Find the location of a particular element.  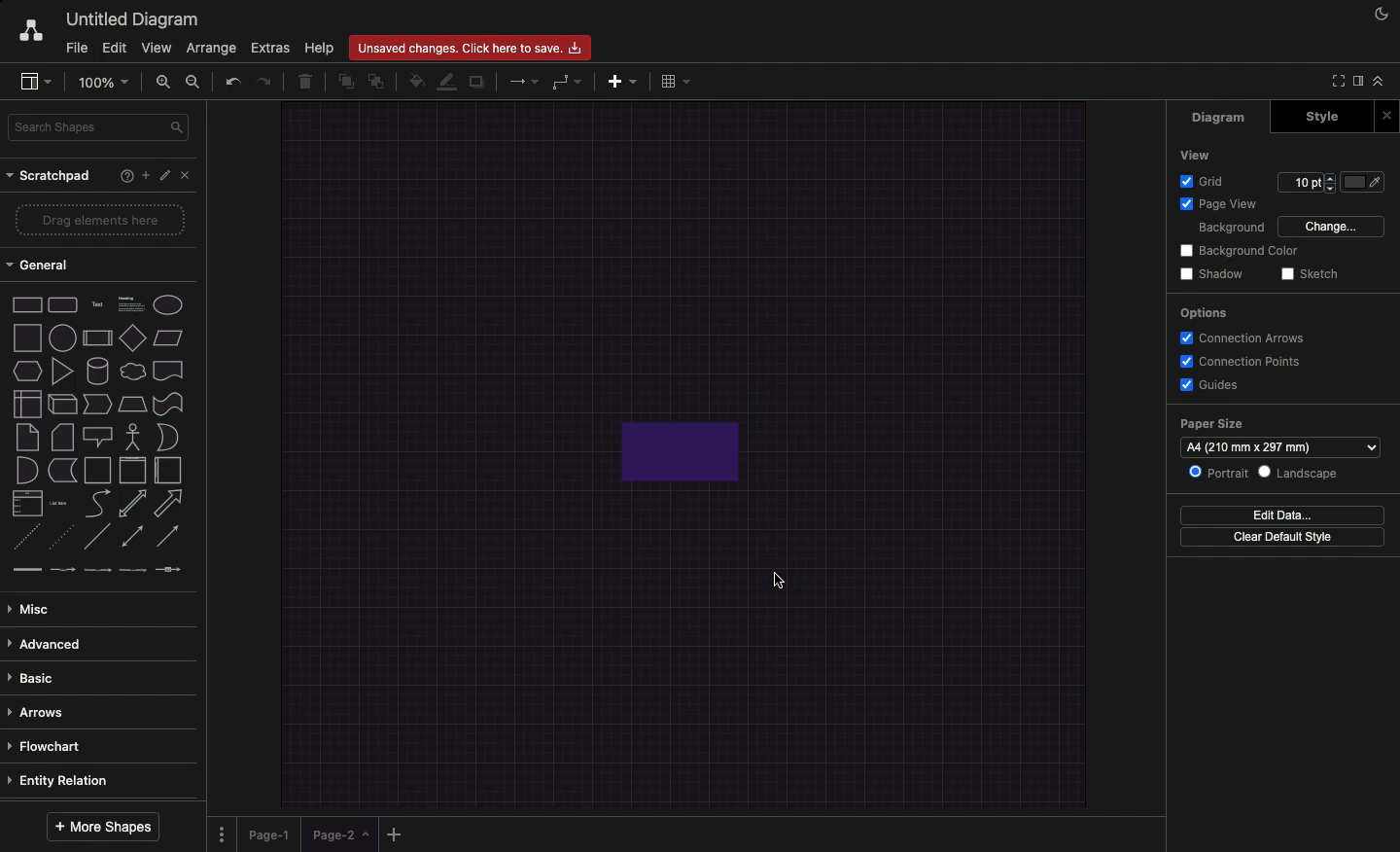

vertical container is located at coordinates (131, 471).